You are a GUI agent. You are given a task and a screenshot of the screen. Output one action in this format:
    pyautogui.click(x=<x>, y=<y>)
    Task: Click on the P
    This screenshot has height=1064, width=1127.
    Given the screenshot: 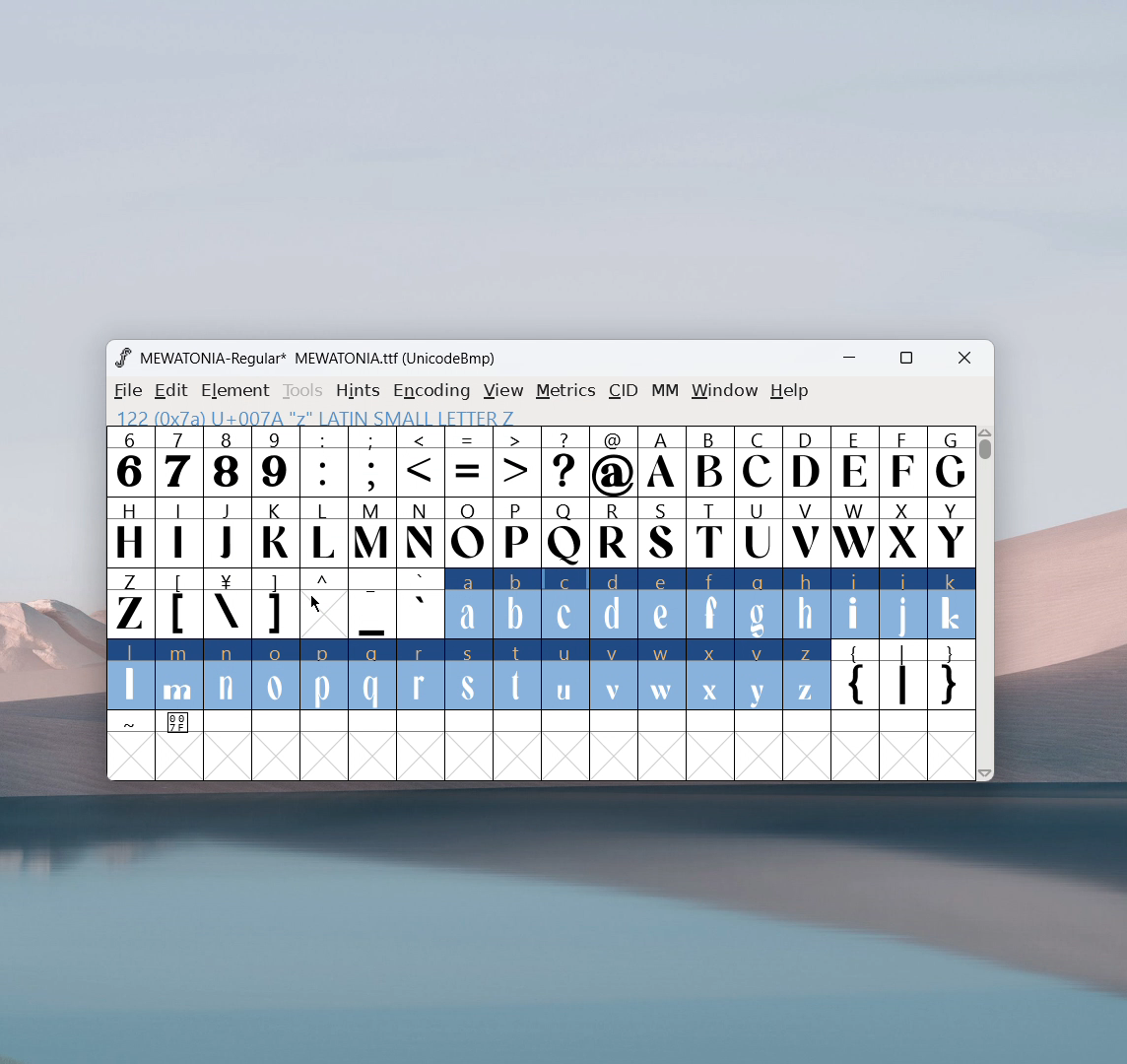 What is the action you would take?
    pyautogui.click(x=516, y=534)
    